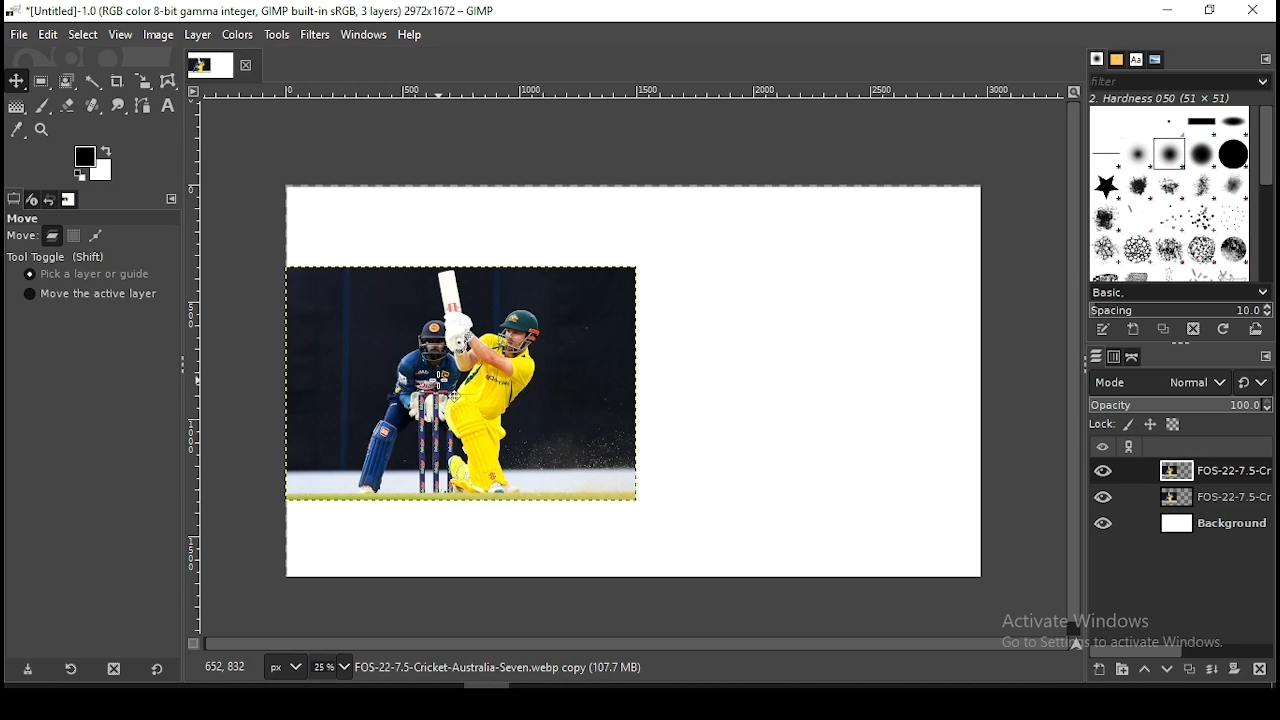 This screenshot has width=1280, height=720. I want to click on tool, so click(1131, 447).